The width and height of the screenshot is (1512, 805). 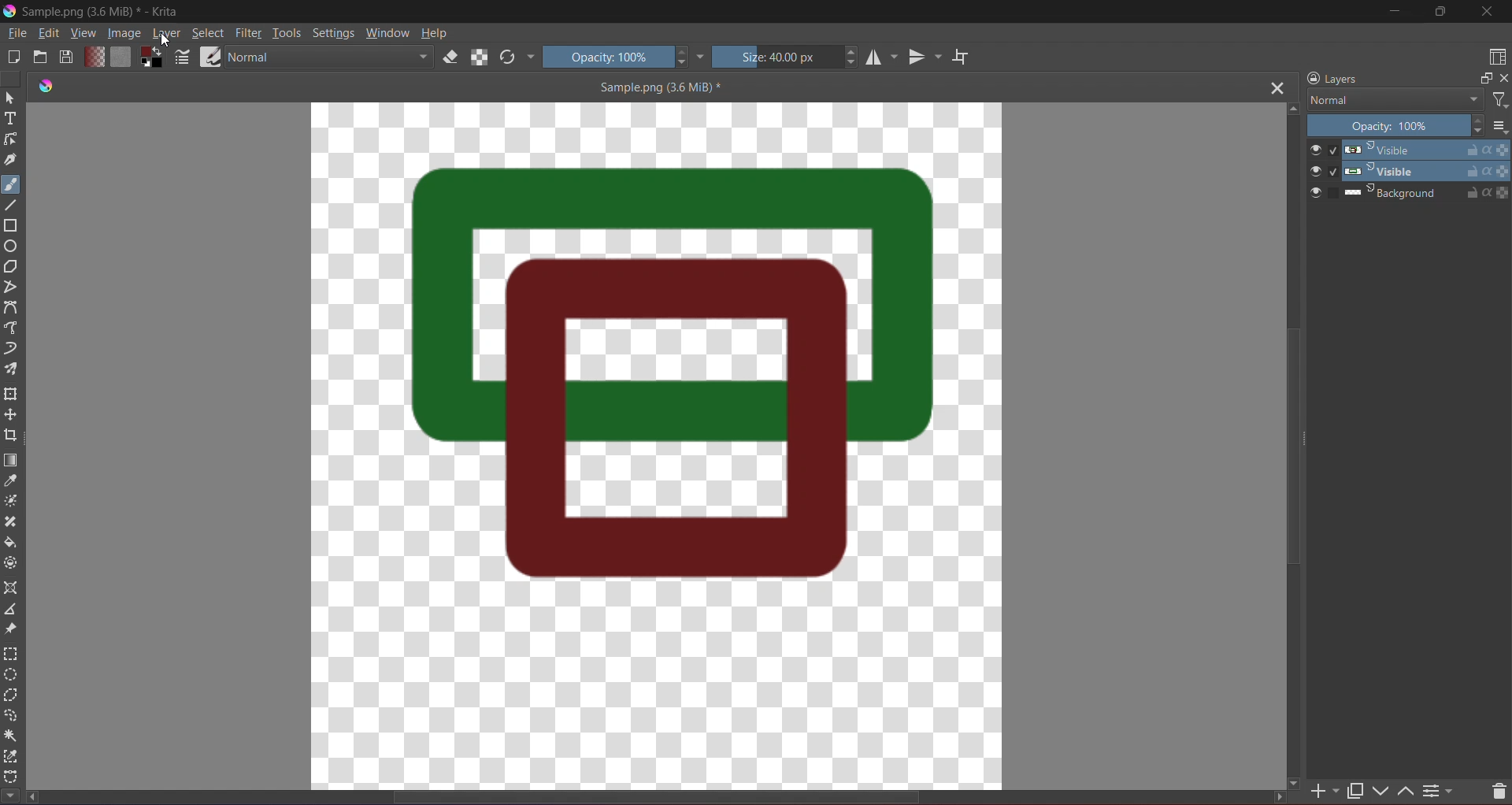 I want to click on Sample.png (3.6MiB), so click(x=659, y=87).